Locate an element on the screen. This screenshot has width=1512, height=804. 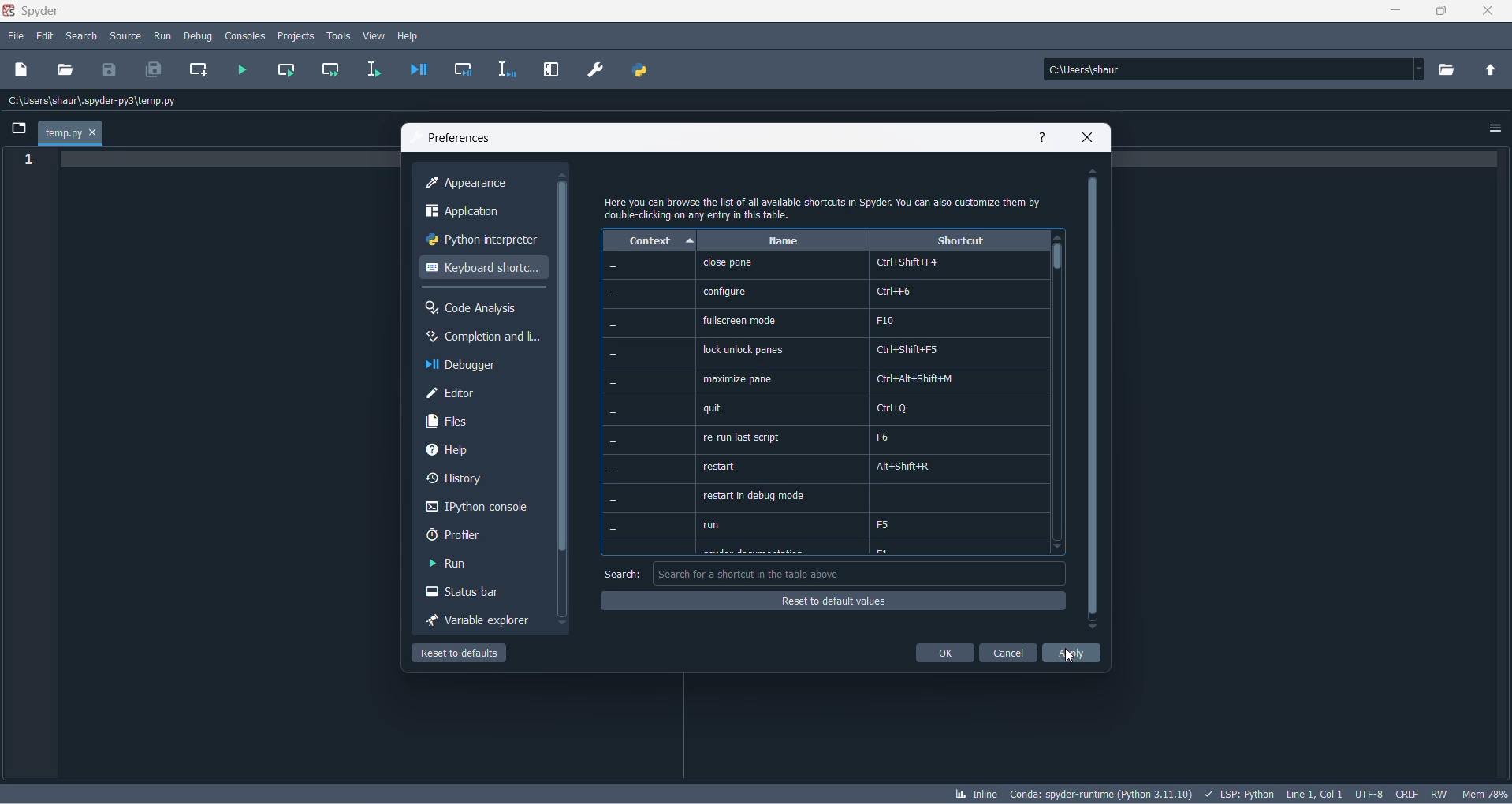
Crl+Shift+F5 is located at coordinates (912, 351).